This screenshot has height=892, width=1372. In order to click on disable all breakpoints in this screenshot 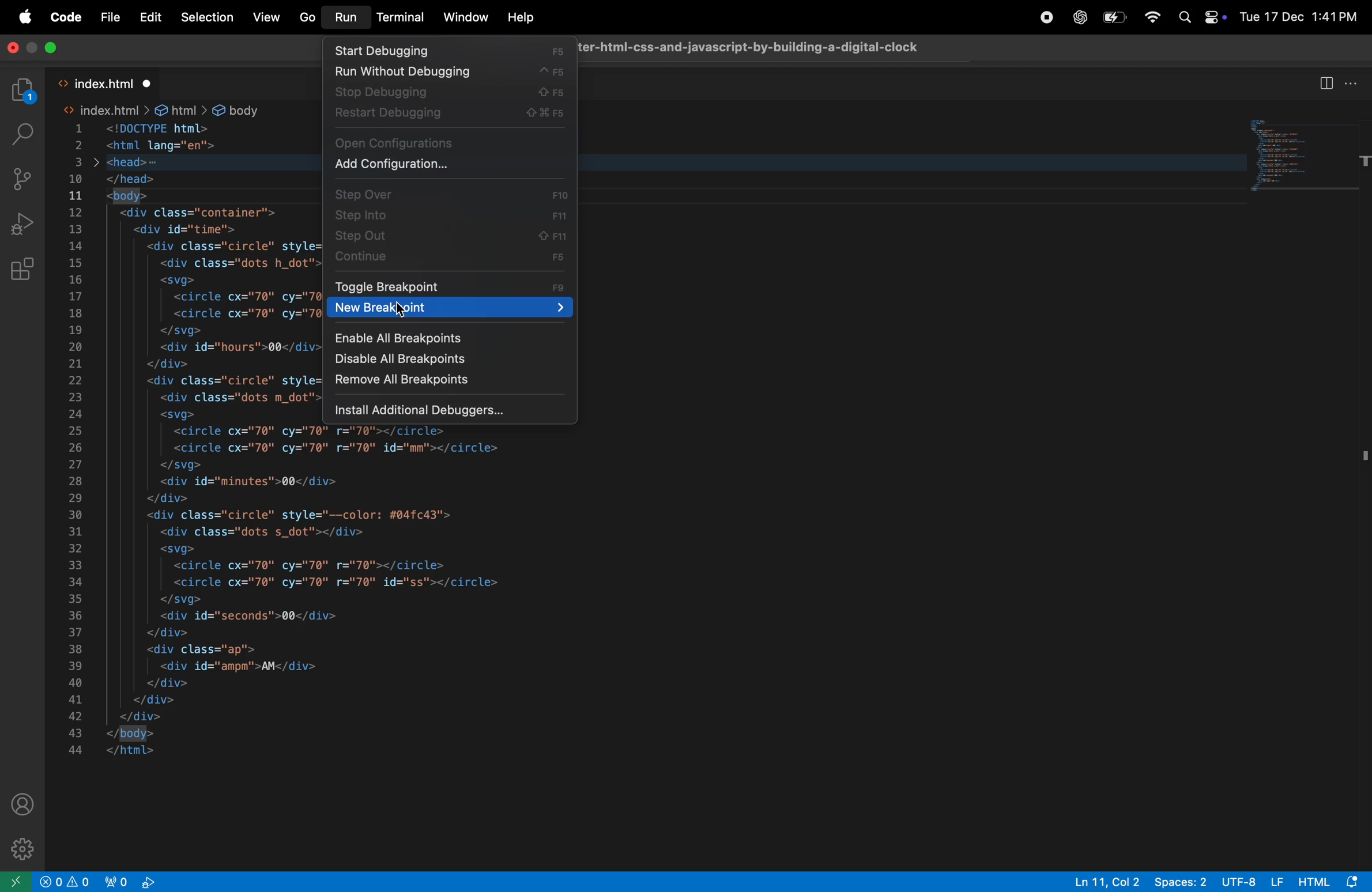, I will do `click(444, 361)`.